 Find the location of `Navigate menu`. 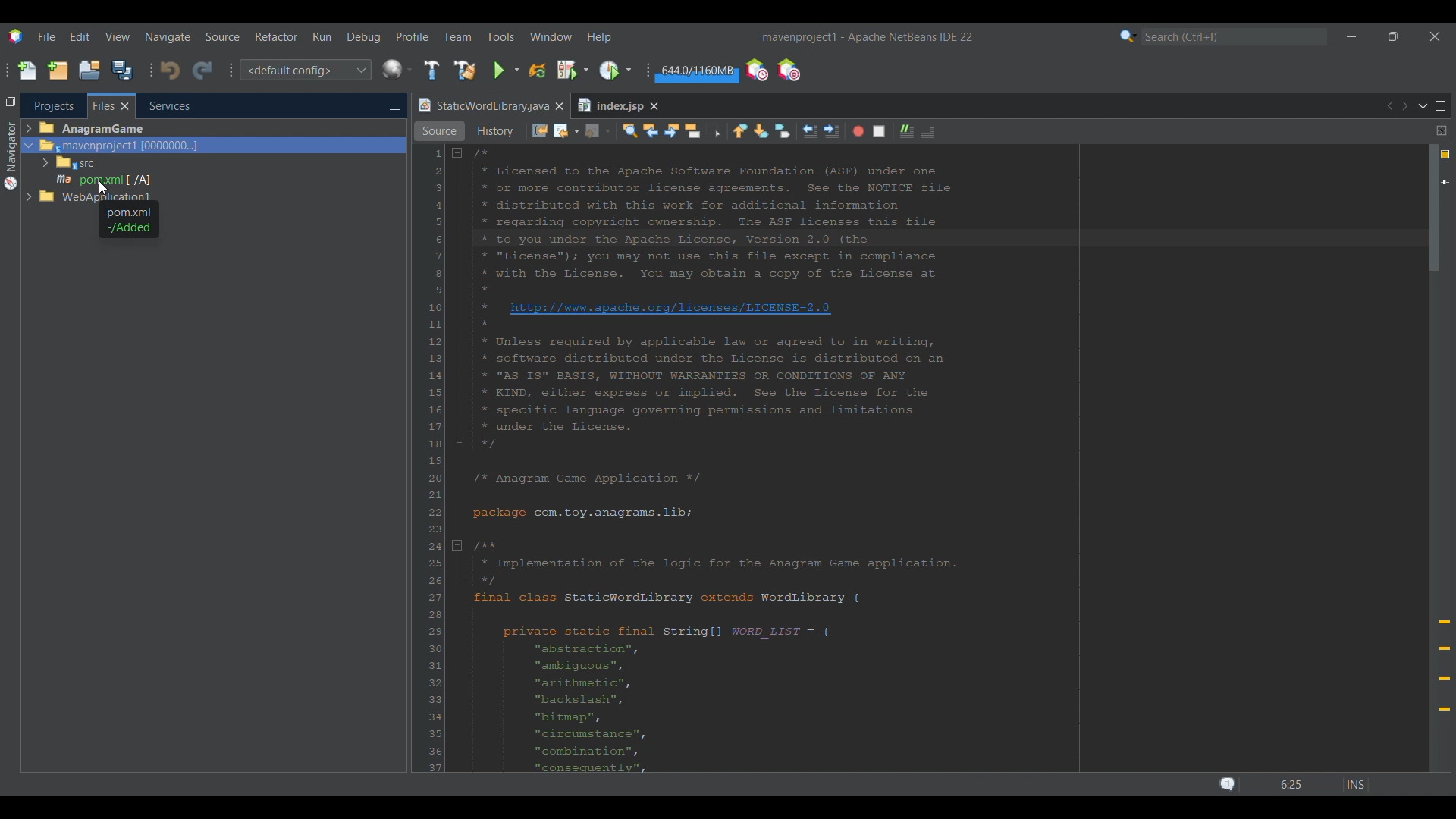

Navigate menu is located at coordinates (168, 37).